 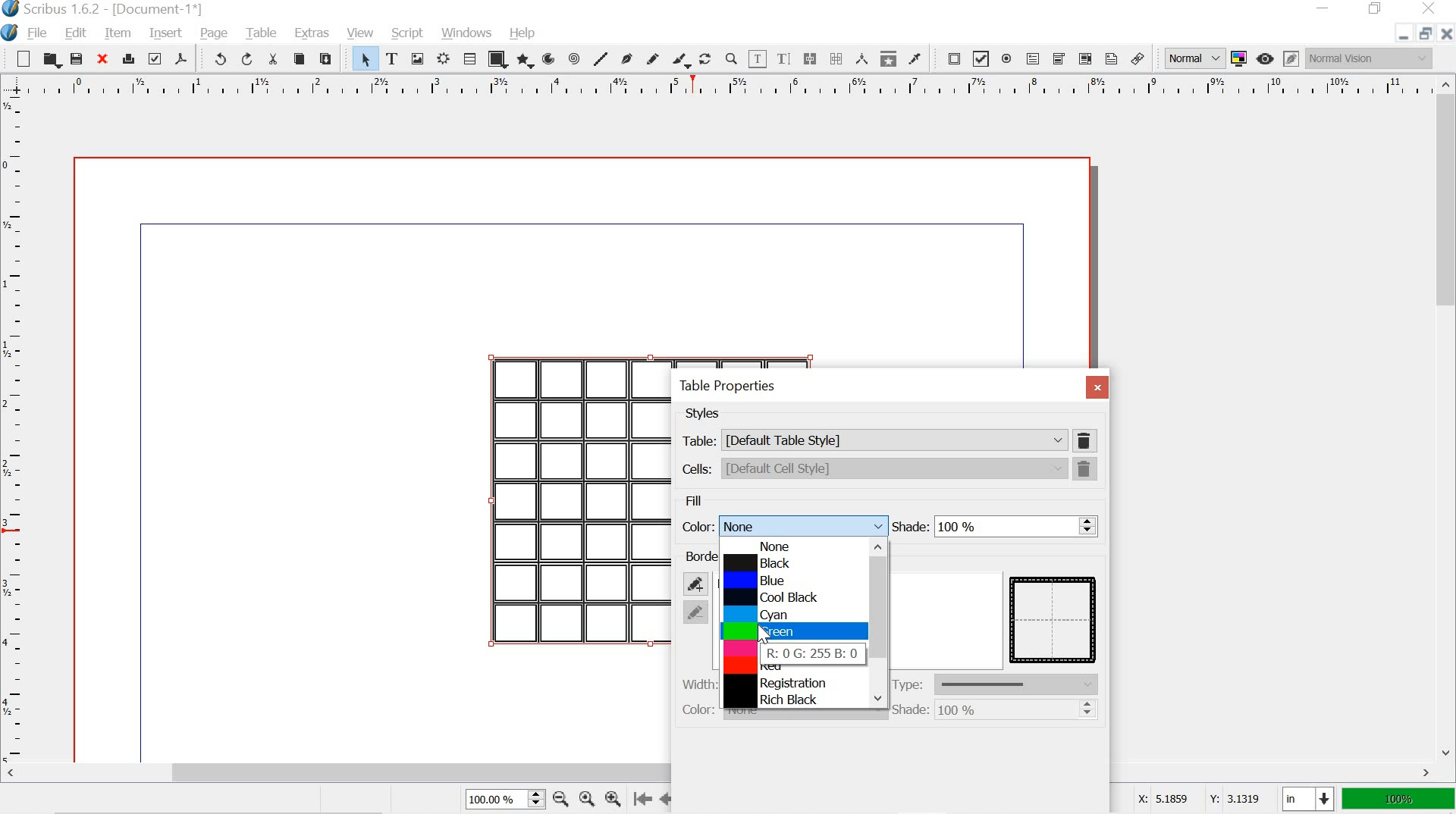 I want to click on close, so click(x=104, y=60).